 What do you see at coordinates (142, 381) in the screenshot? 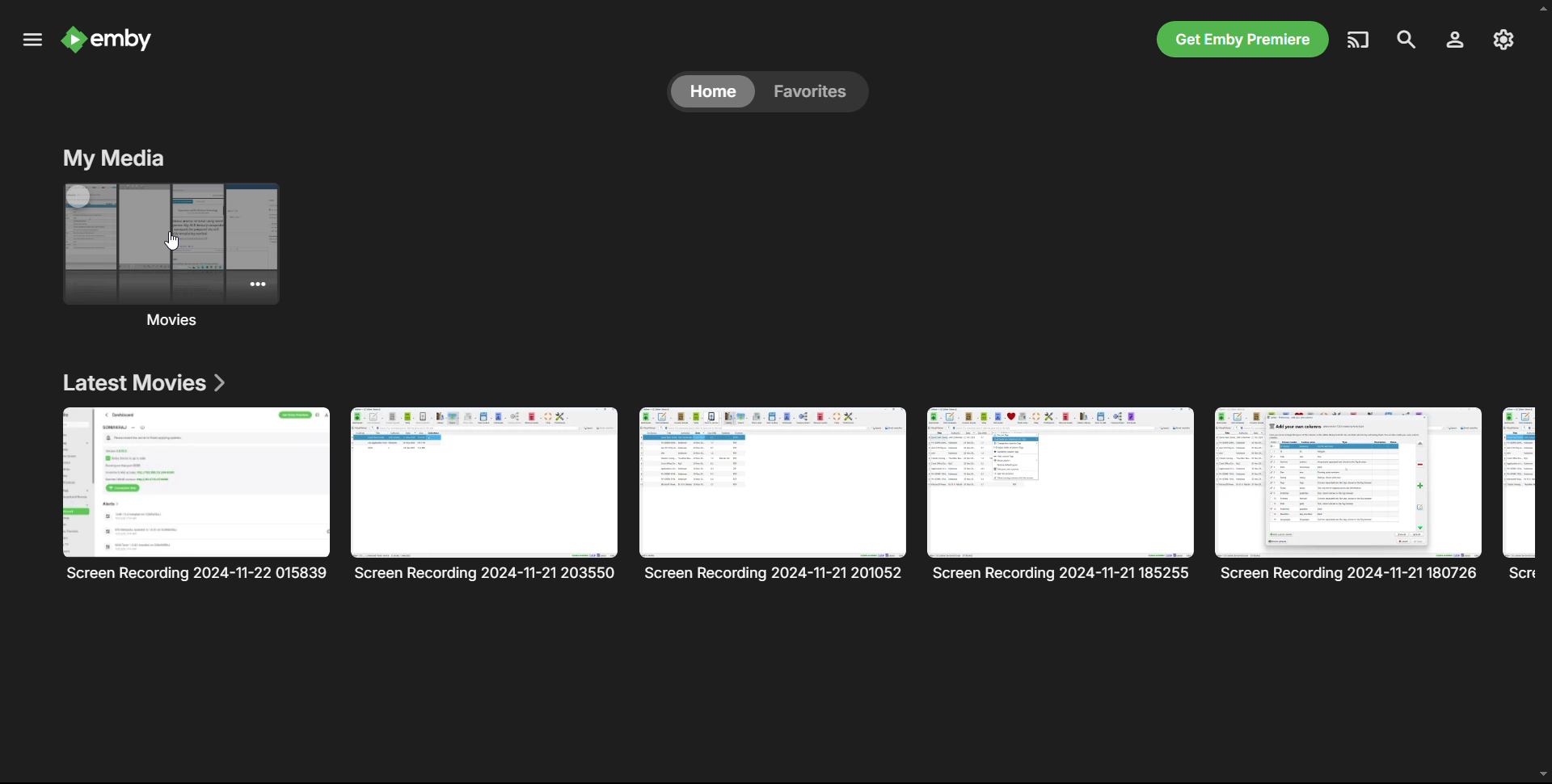
I see `latest movies` at bounding box center [142, 381].